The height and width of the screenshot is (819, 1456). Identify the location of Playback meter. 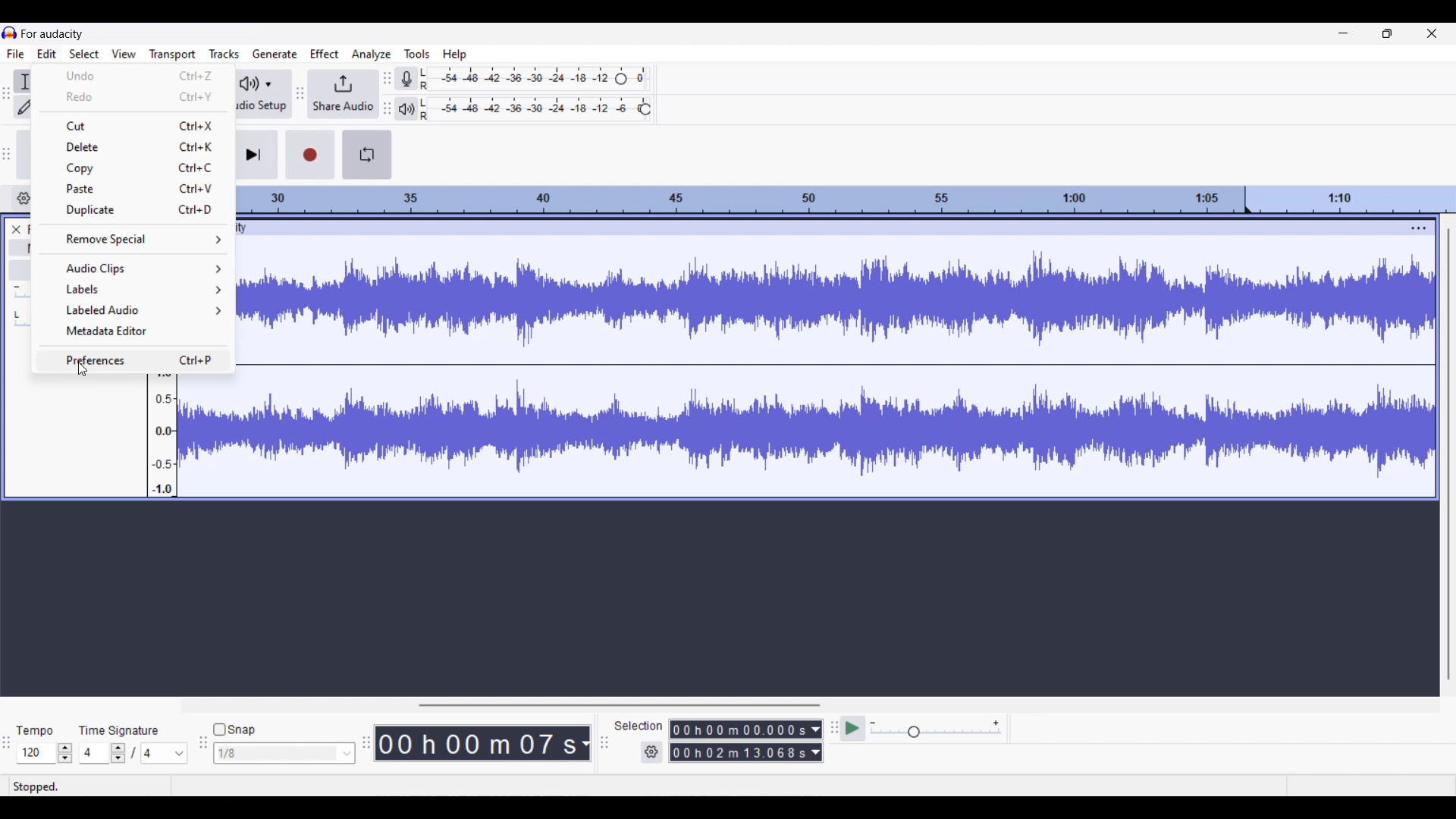
(406, 108).